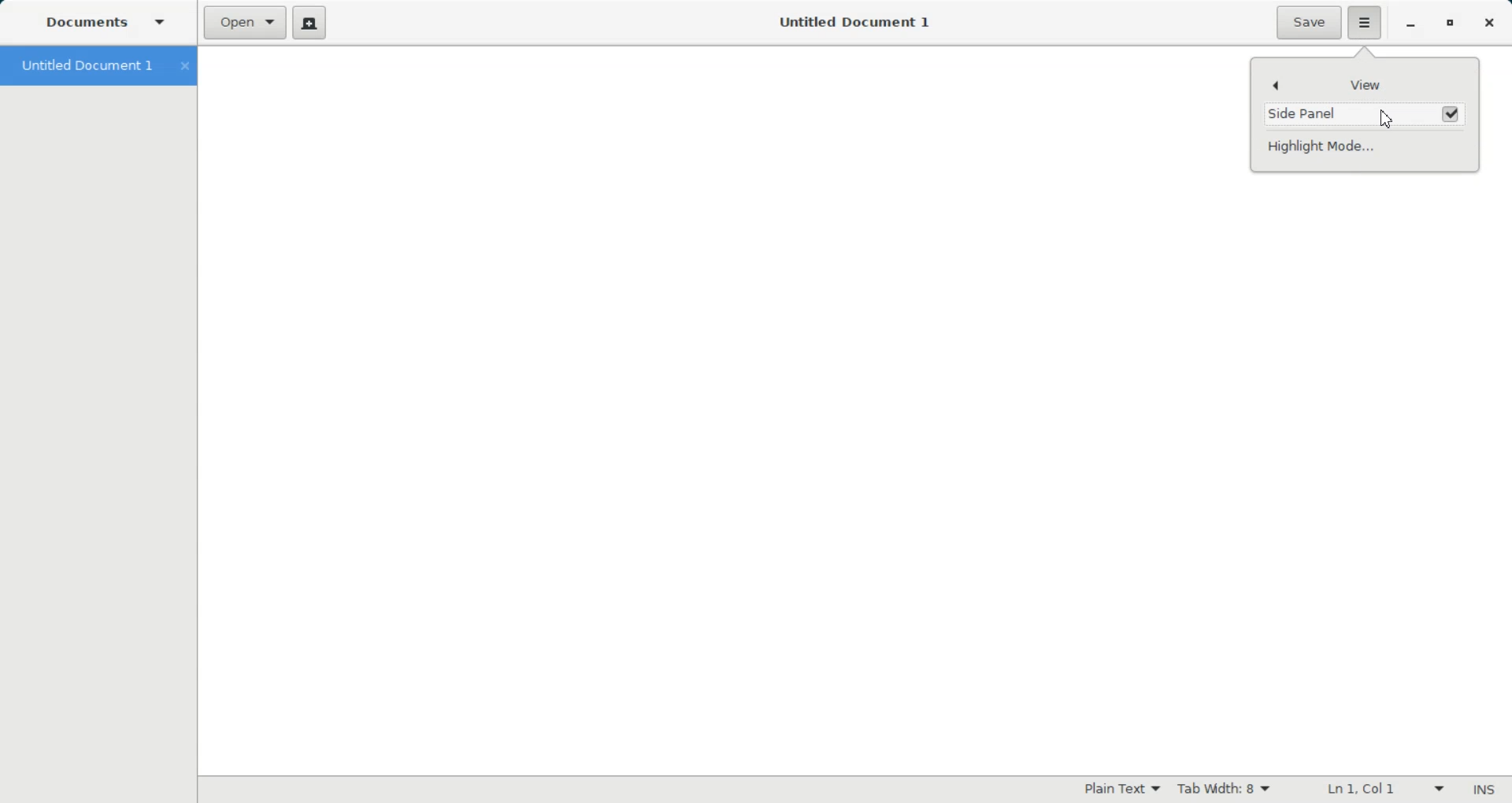 This screenshot has height=803, width=1512. Describe the element at coordinates (1375, 788) in the screenshot. I see `Line Column` at that location.